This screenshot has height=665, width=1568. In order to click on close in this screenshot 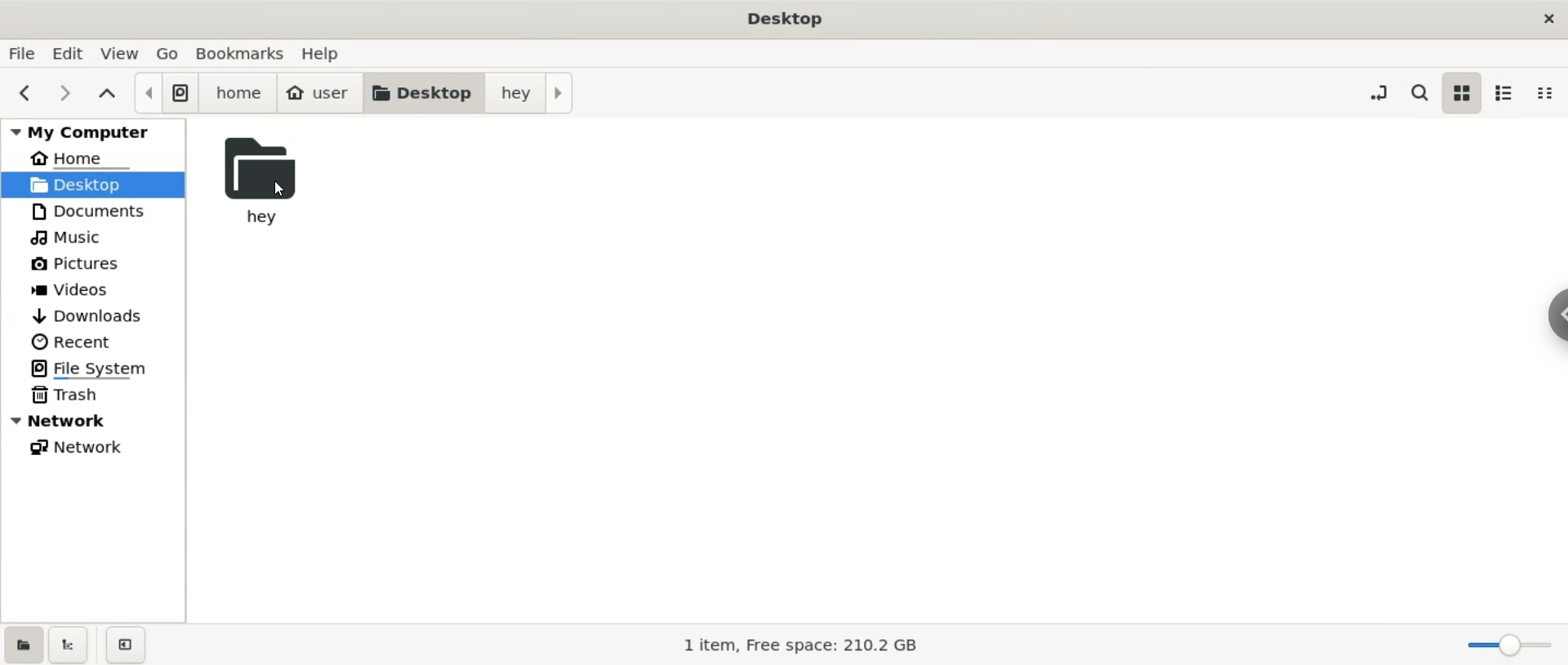, I will do `click(1546, 18)`.